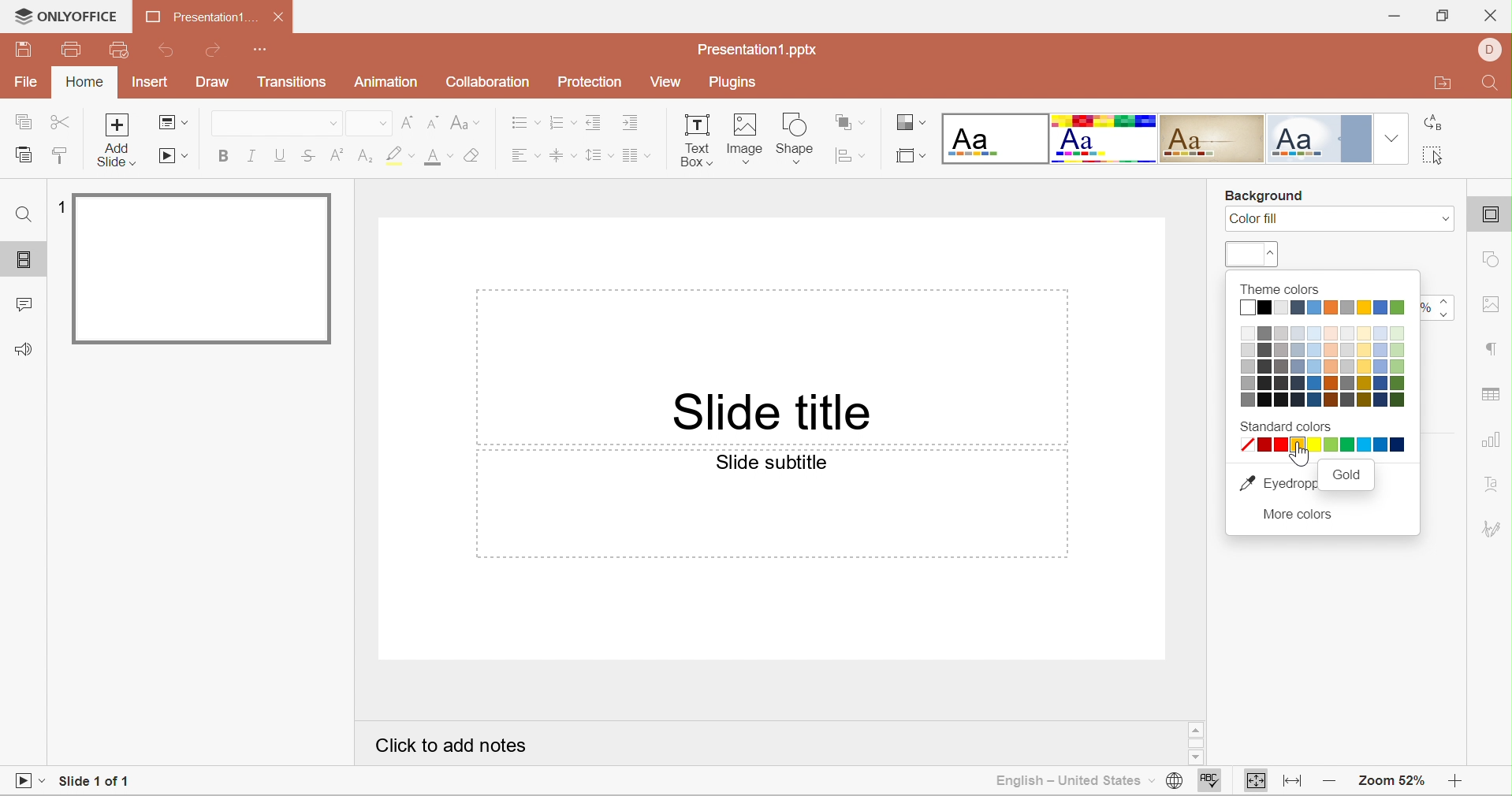 The image size is (1512, 796). What do you see at coordinates (266, 50) in the screenshot?
I see `Customize quick access toolbar` at bounding box center [266, 50].